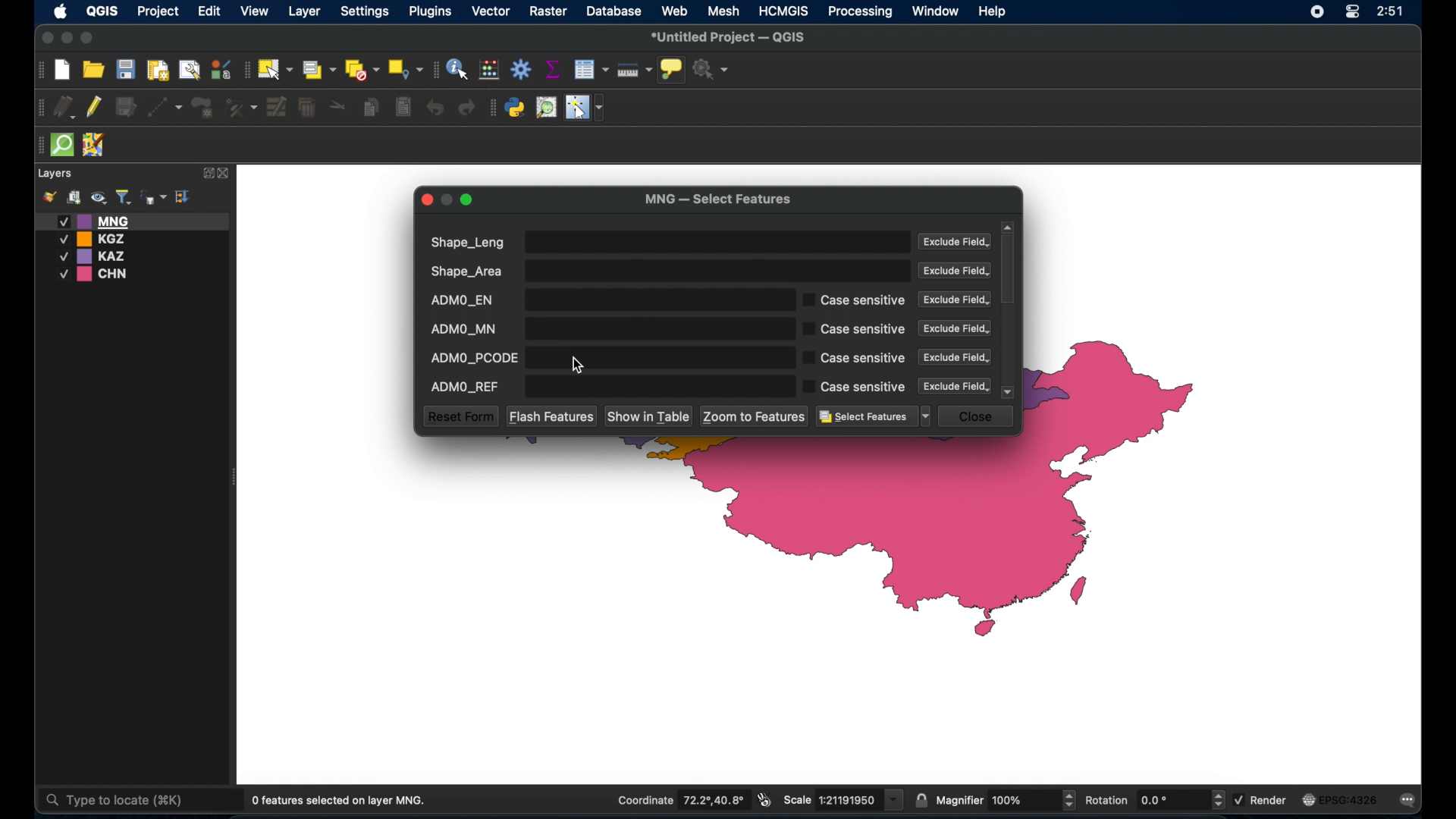 The height and width of the screenshot is (819, 1456). Describe the element at coordinates (221, 67) in the screenshot. I see `style manager` at that location.